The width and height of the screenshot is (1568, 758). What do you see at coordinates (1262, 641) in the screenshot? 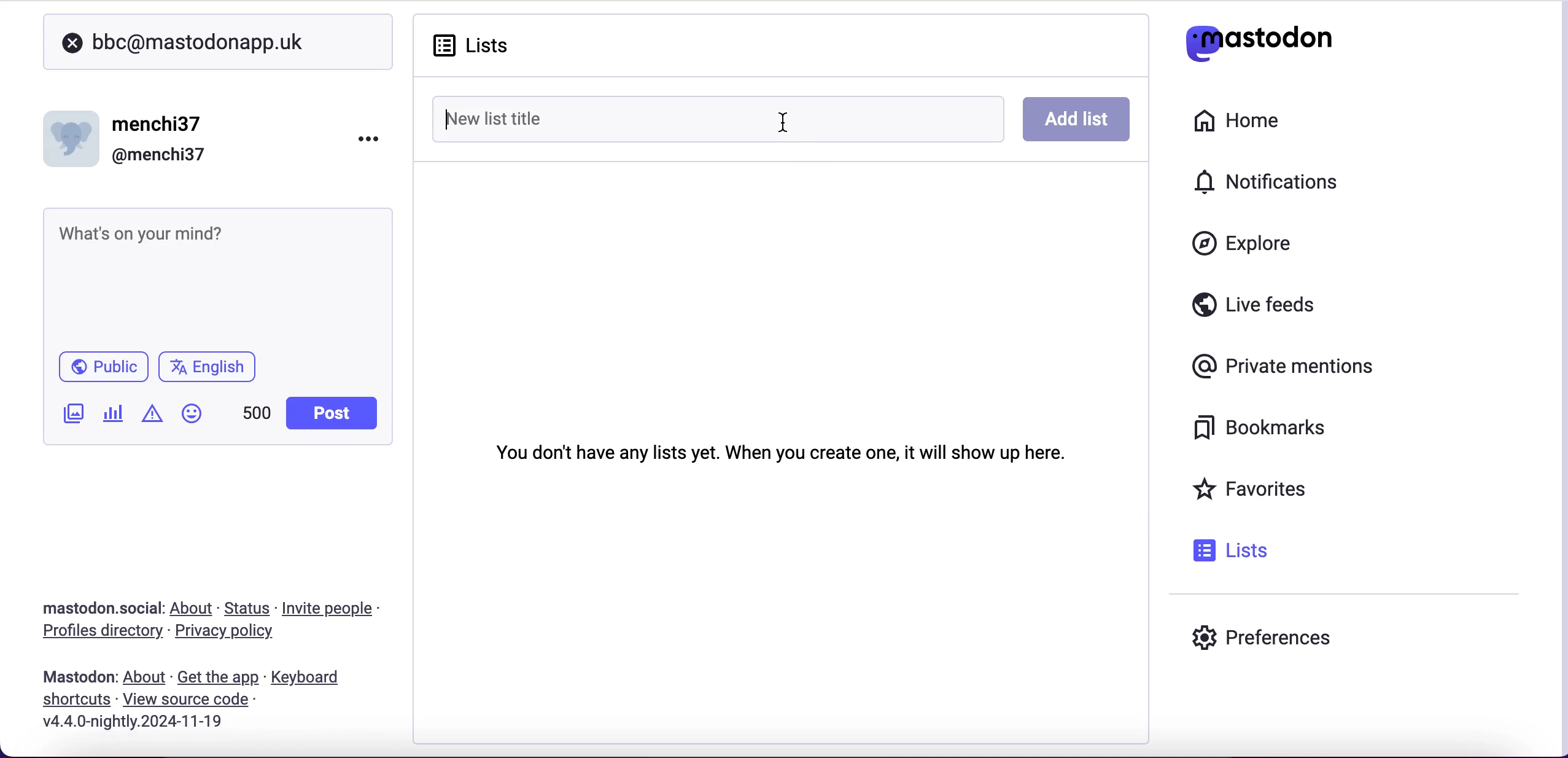
I see `preferences` at bounding box center [1262, 641].